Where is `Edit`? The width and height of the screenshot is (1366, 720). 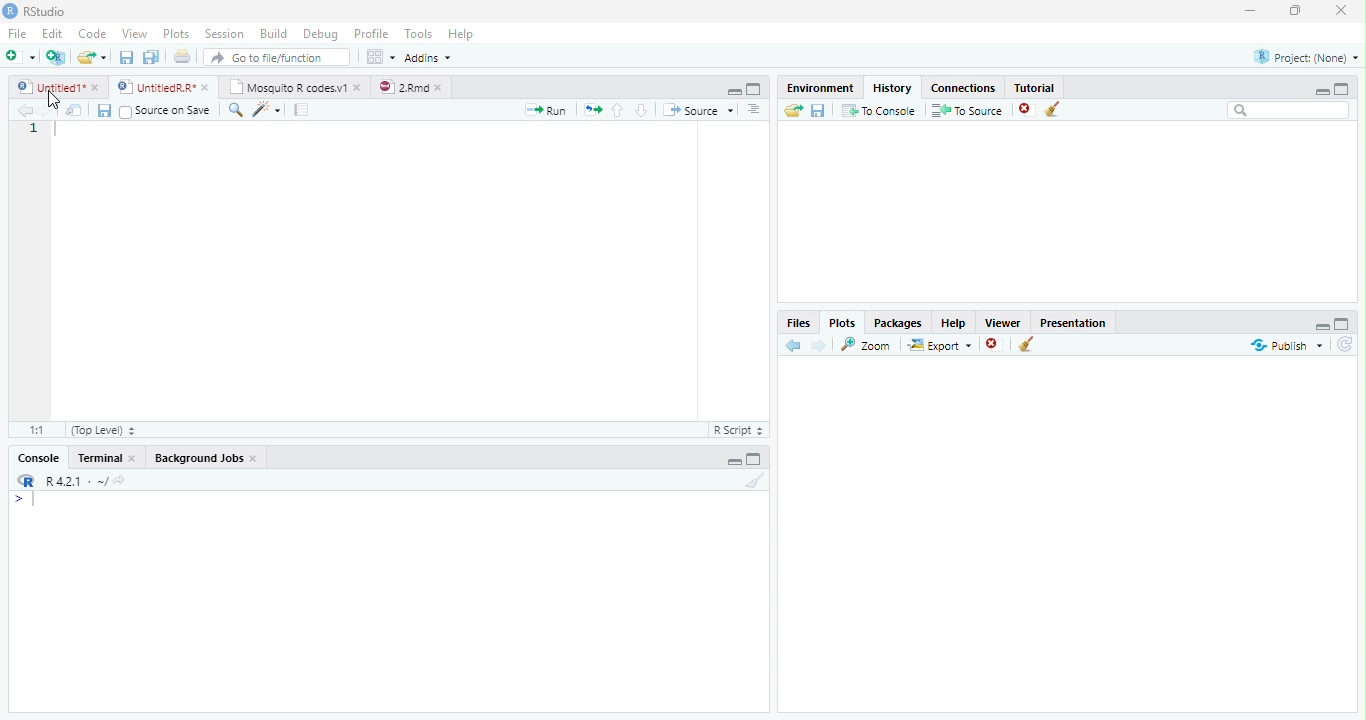
Edit is located at coordinates (53, 31).